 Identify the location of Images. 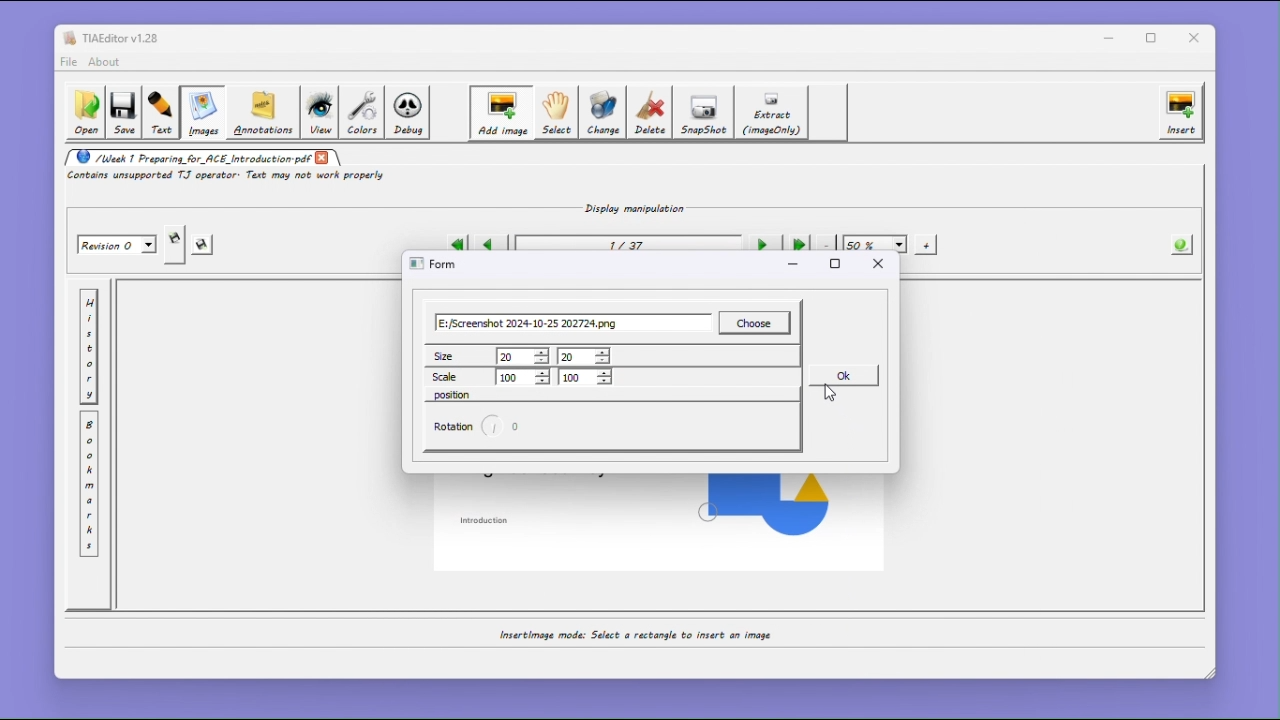
(201, 113).